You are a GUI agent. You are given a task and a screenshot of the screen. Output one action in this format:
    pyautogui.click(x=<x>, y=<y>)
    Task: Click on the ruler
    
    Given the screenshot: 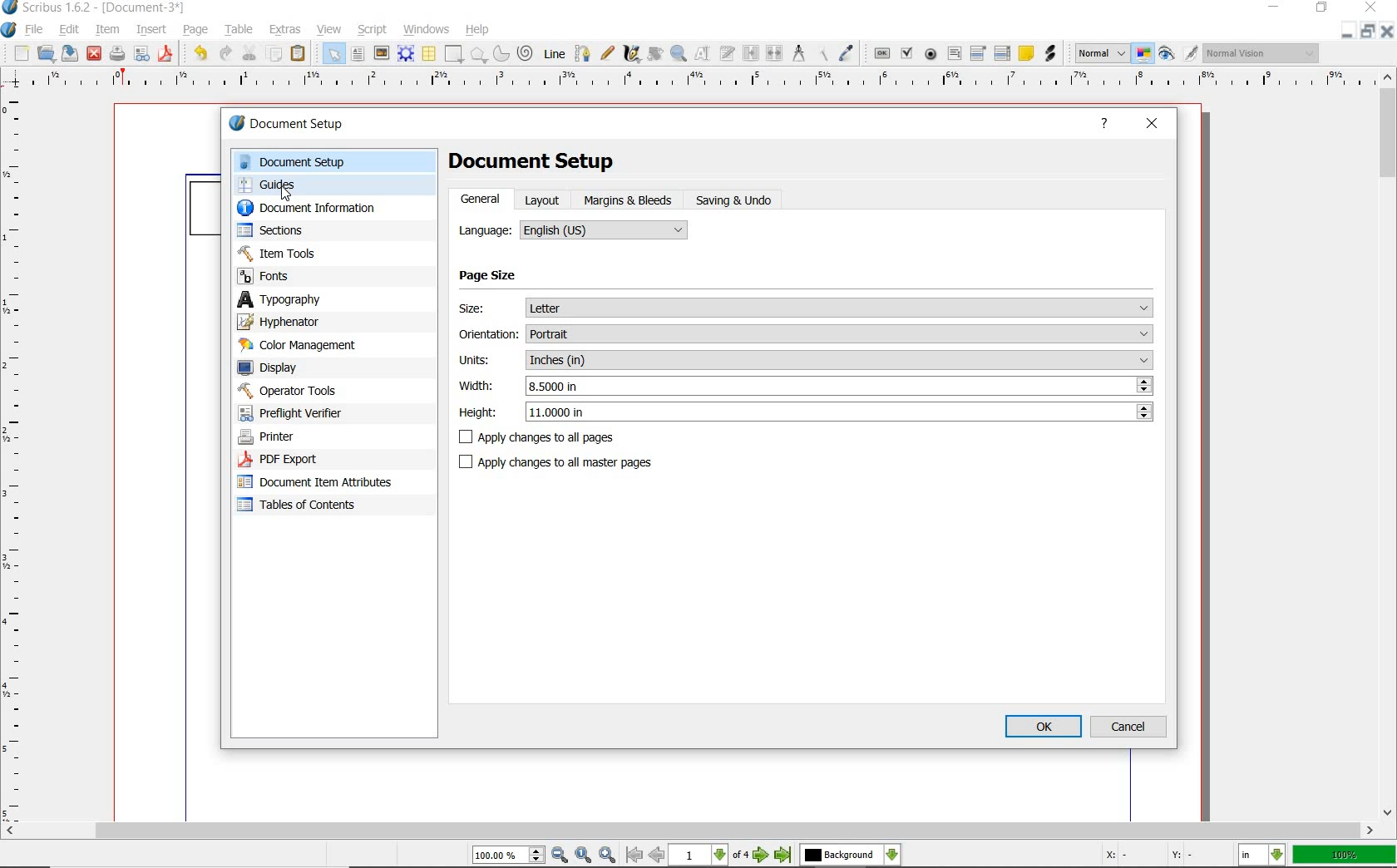 What is the action you would take?
    pyautogui.click(x=692, y=83)
    